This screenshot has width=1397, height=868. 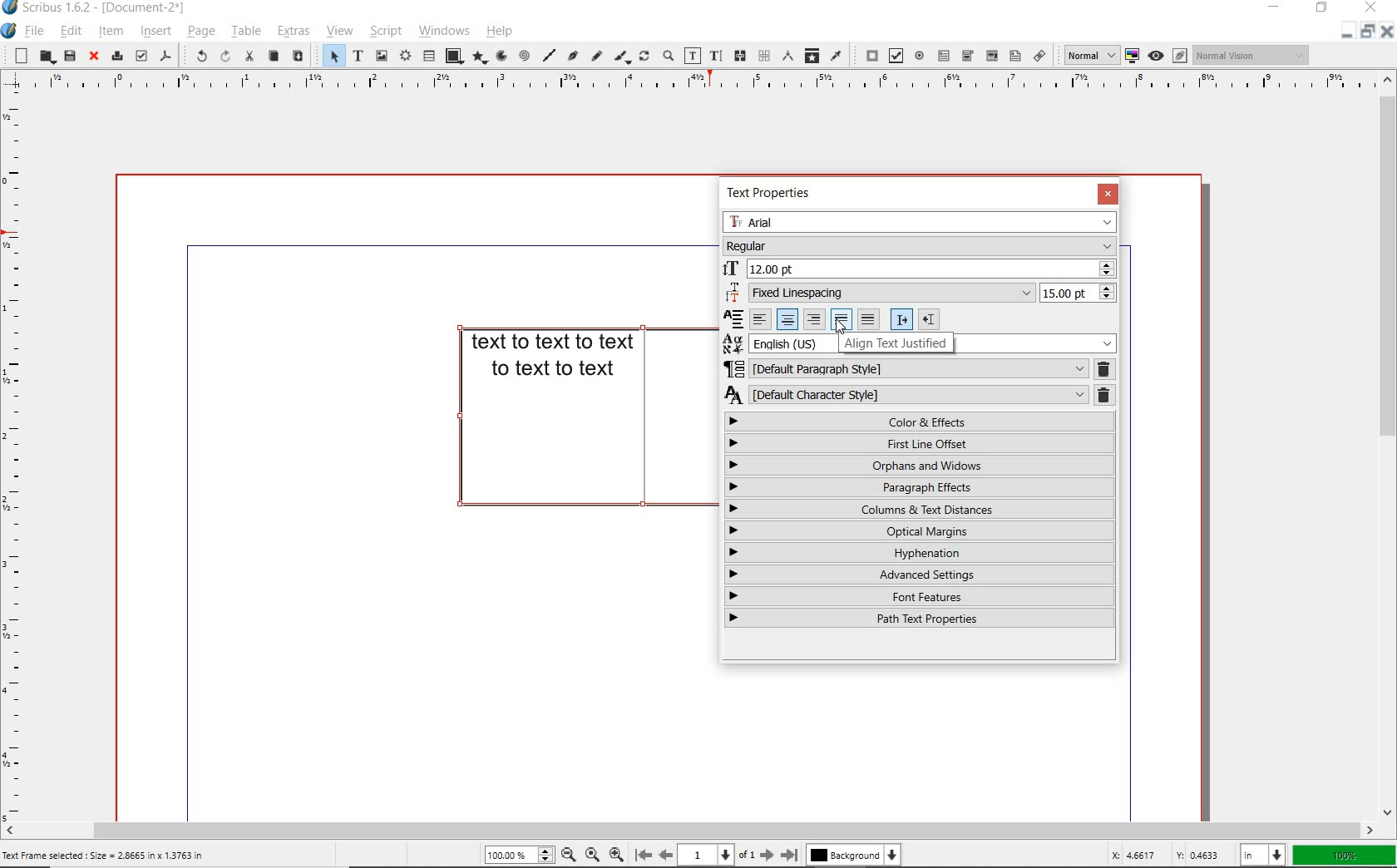 What do you see at coordinates (852, 855) in the screenshot?
I see `background ` at bounding box center [852, 855].